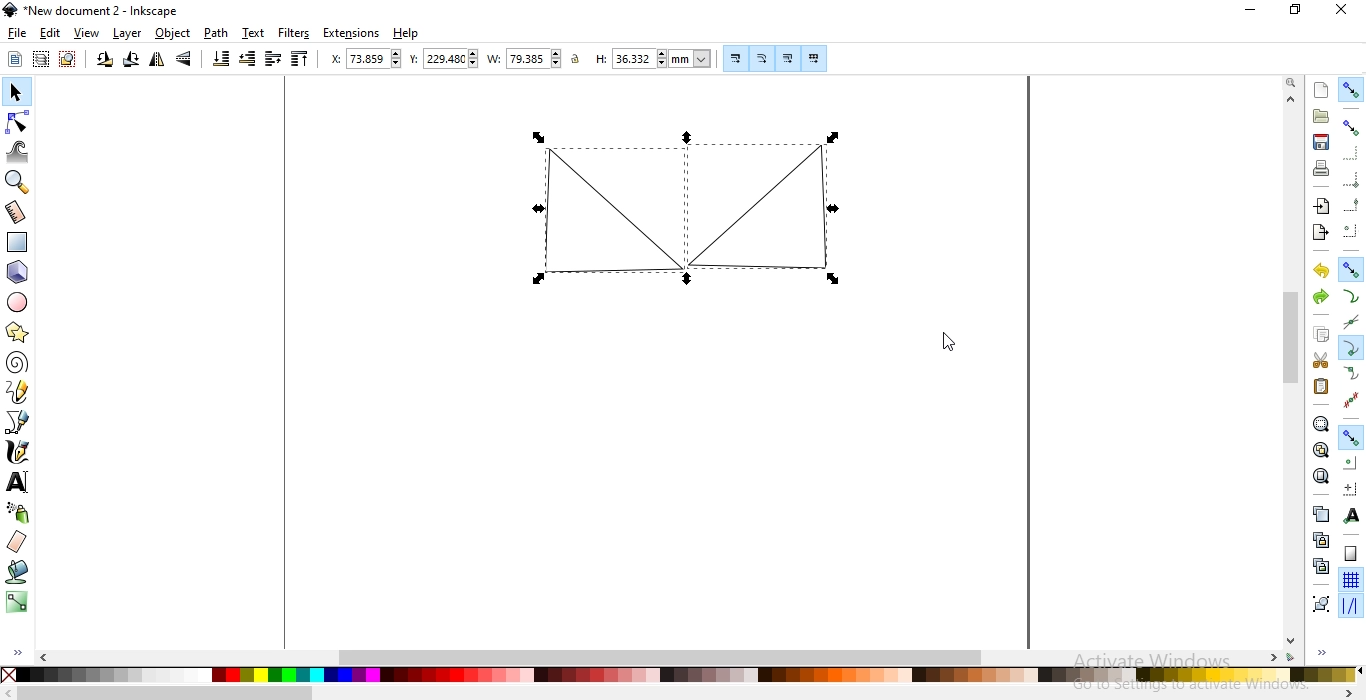  What do you see at coordinates (19, 152) in the screenshot?
I see `tweak objects by sculpting or painting` at bounding box center [19, 152].